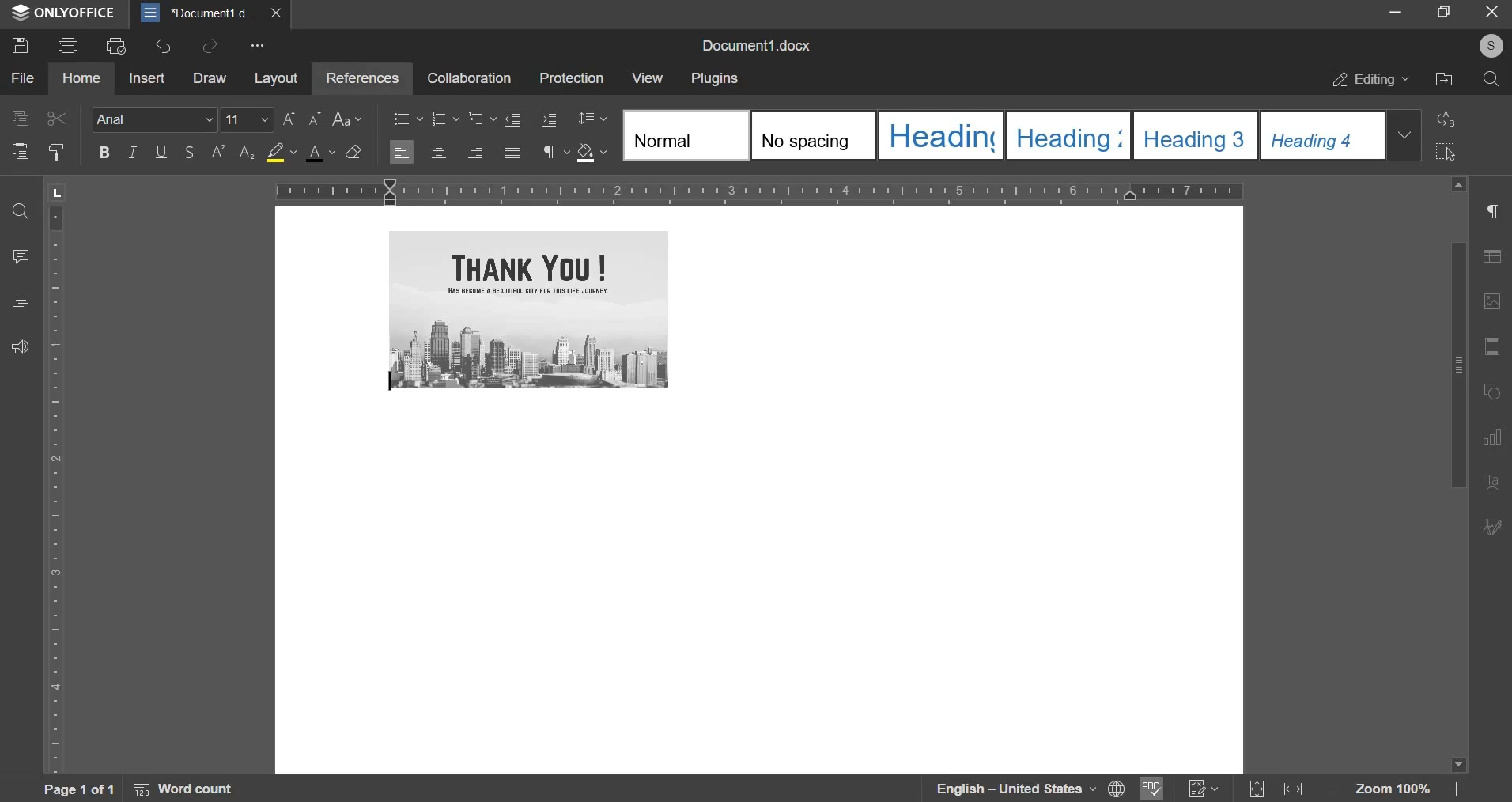  Describe the element at coordinates (282, 151) in the screenshot. I see `fill color` at that location.